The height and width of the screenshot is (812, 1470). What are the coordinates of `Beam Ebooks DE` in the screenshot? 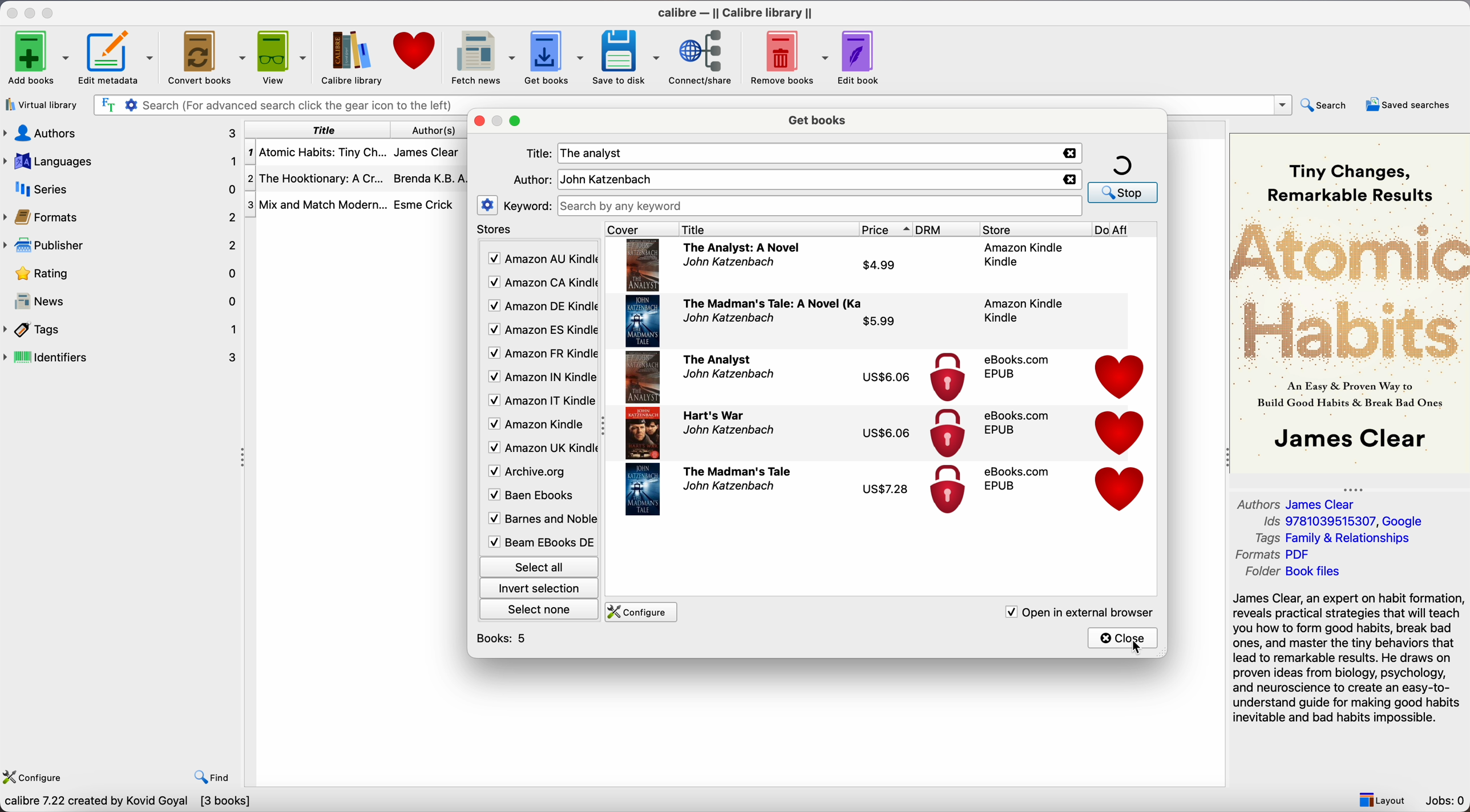 It's located at (539, 542).